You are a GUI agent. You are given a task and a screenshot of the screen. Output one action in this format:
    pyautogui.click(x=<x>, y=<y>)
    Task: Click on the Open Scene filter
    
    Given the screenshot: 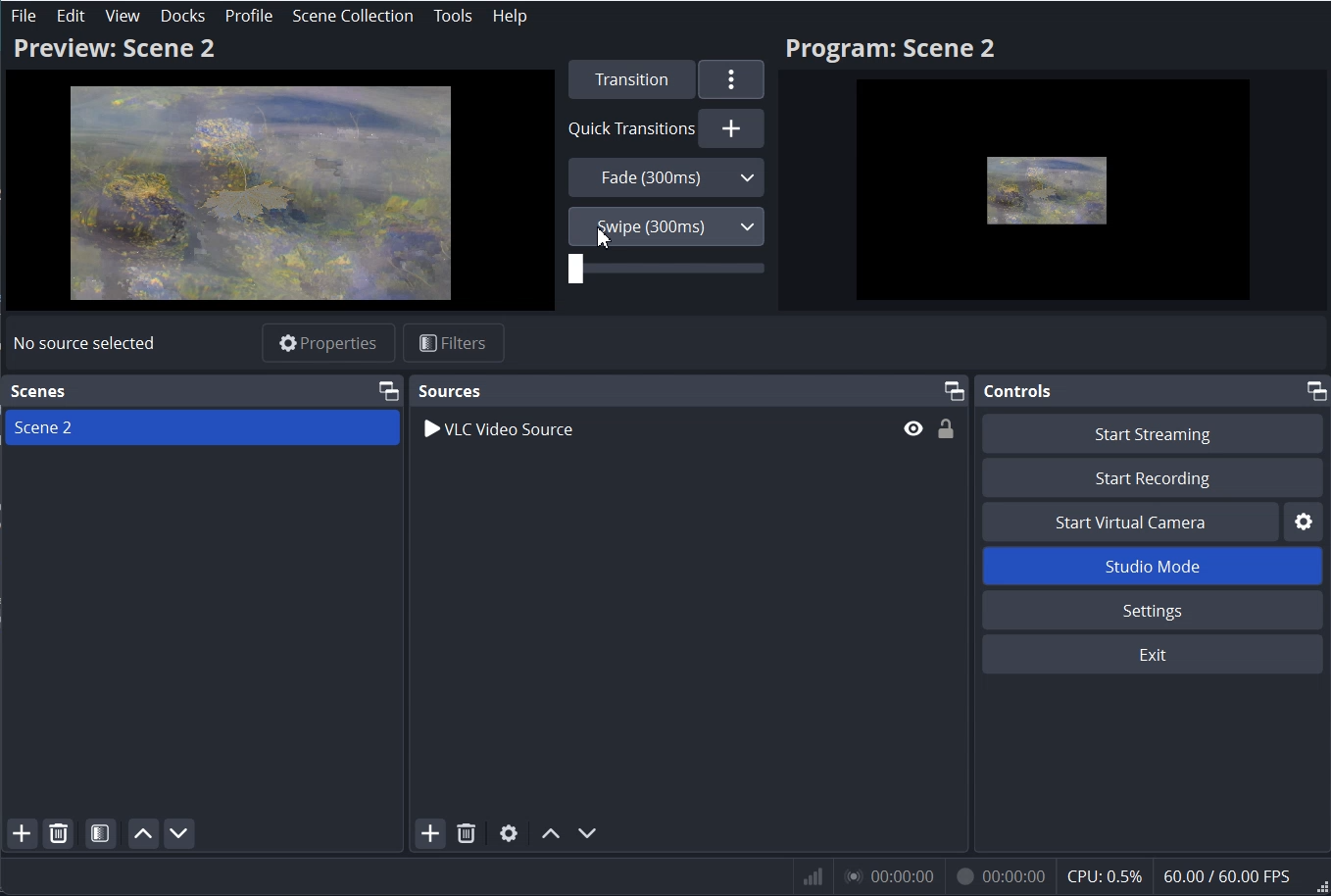 What is the action you would take?
    pyautogui.click(x=101, y=832)
    